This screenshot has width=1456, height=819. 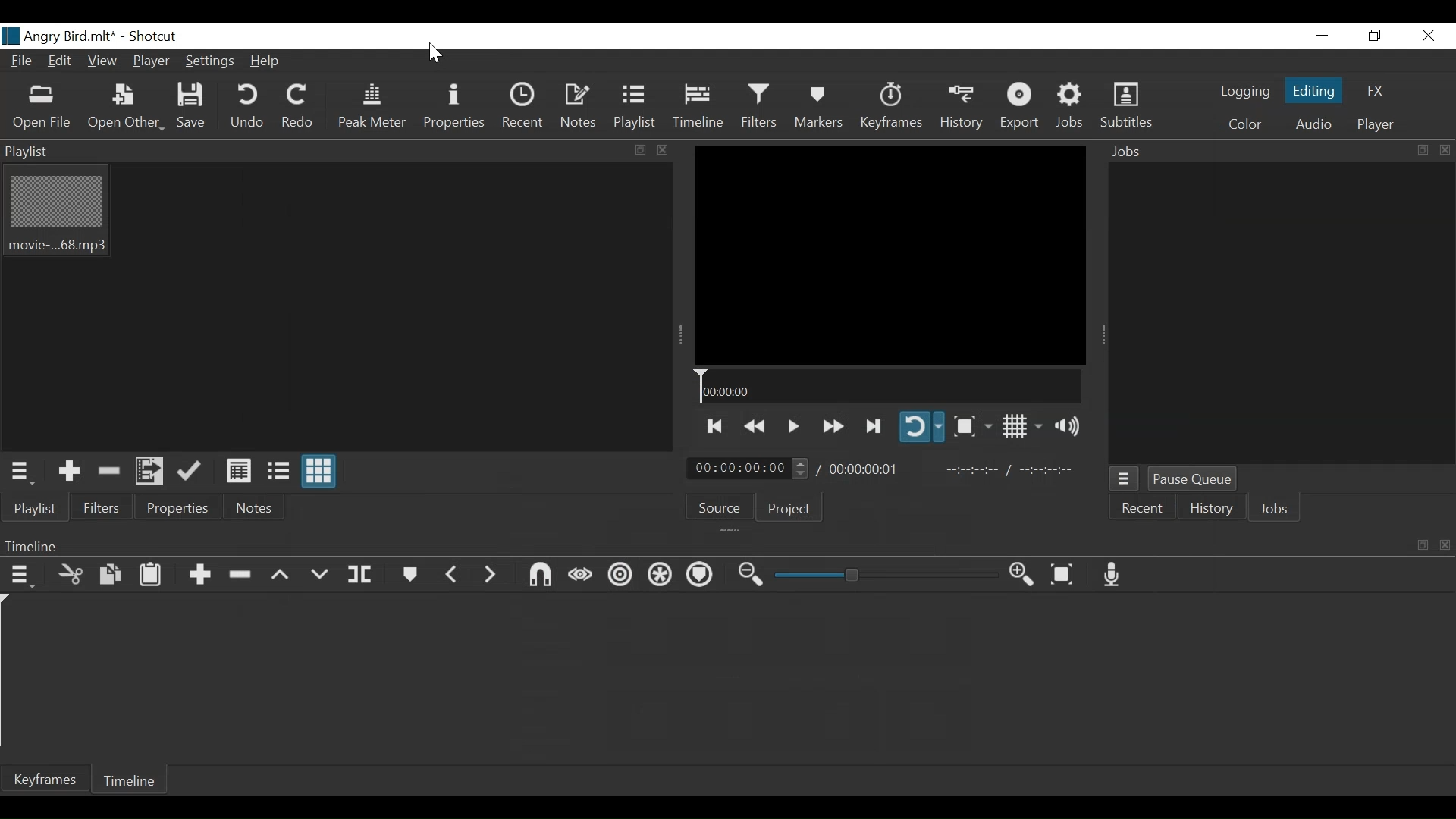 I want to click on FX, so click(x=1373, y=91).